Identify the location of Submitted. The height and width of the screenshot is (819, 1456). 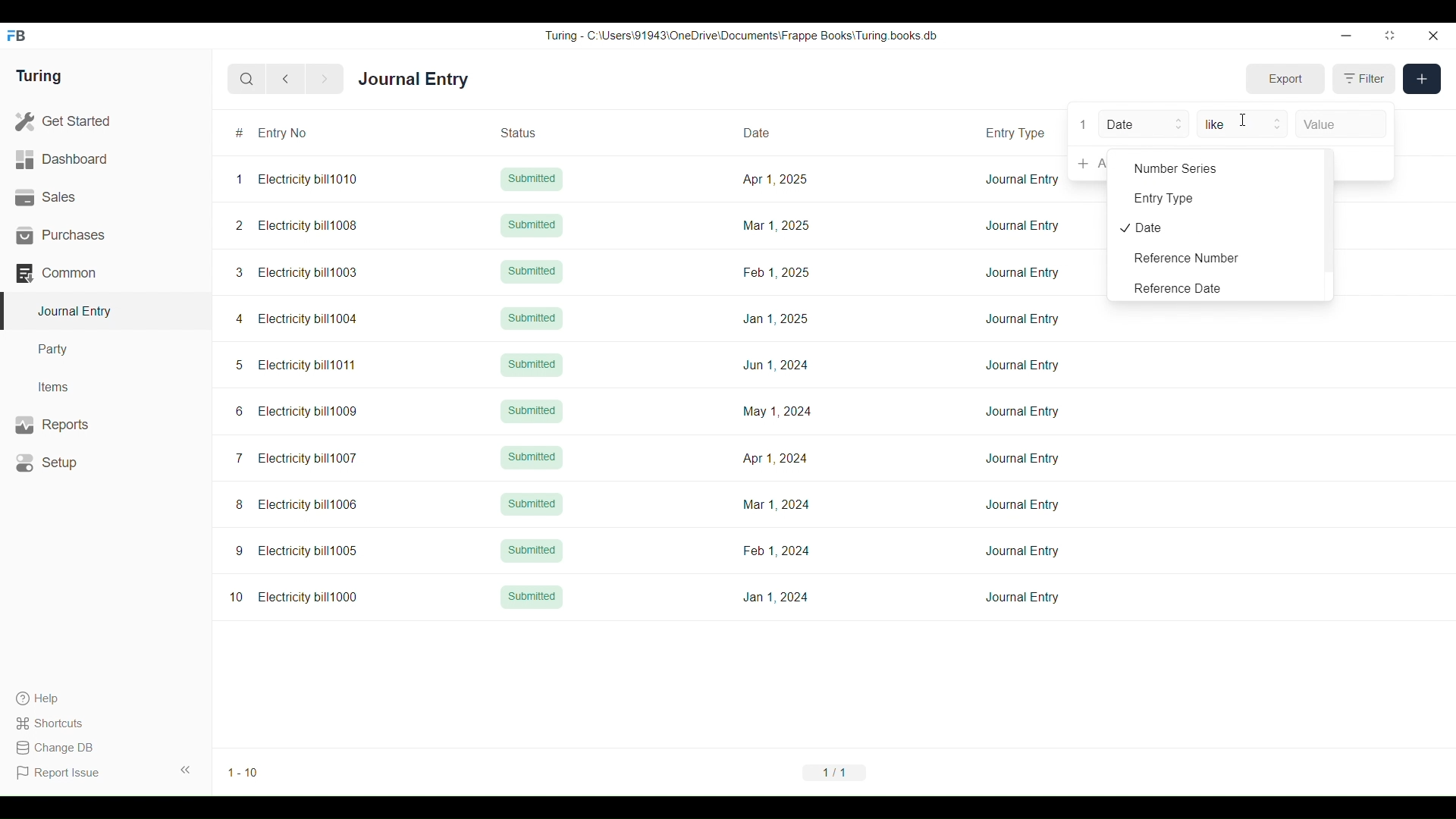
(531, 503).